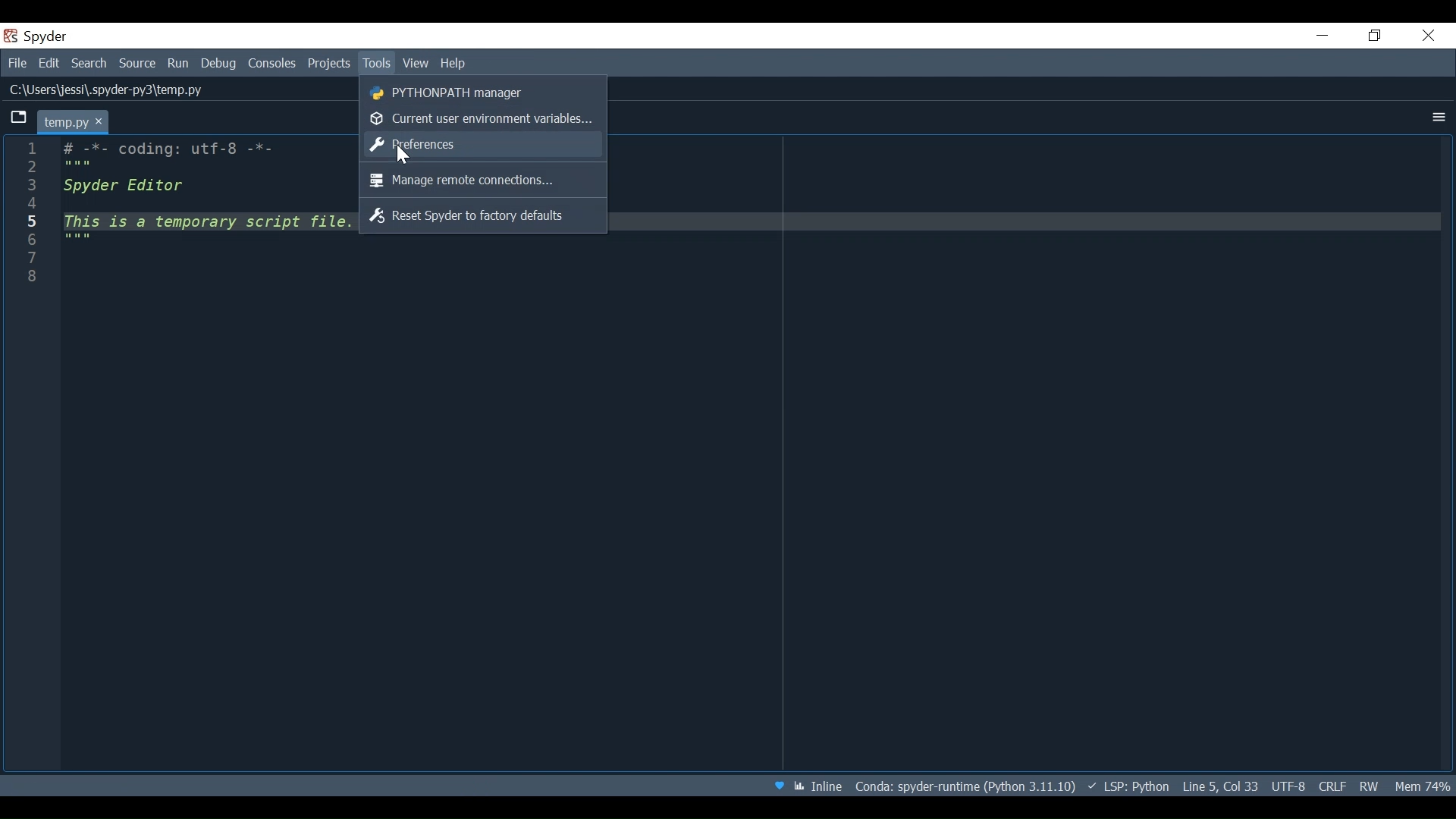 This screenshot has height=819, width=1456. Describe the element at coordinates (274, 64) in the screenshot. I see `Consoles` at that location.